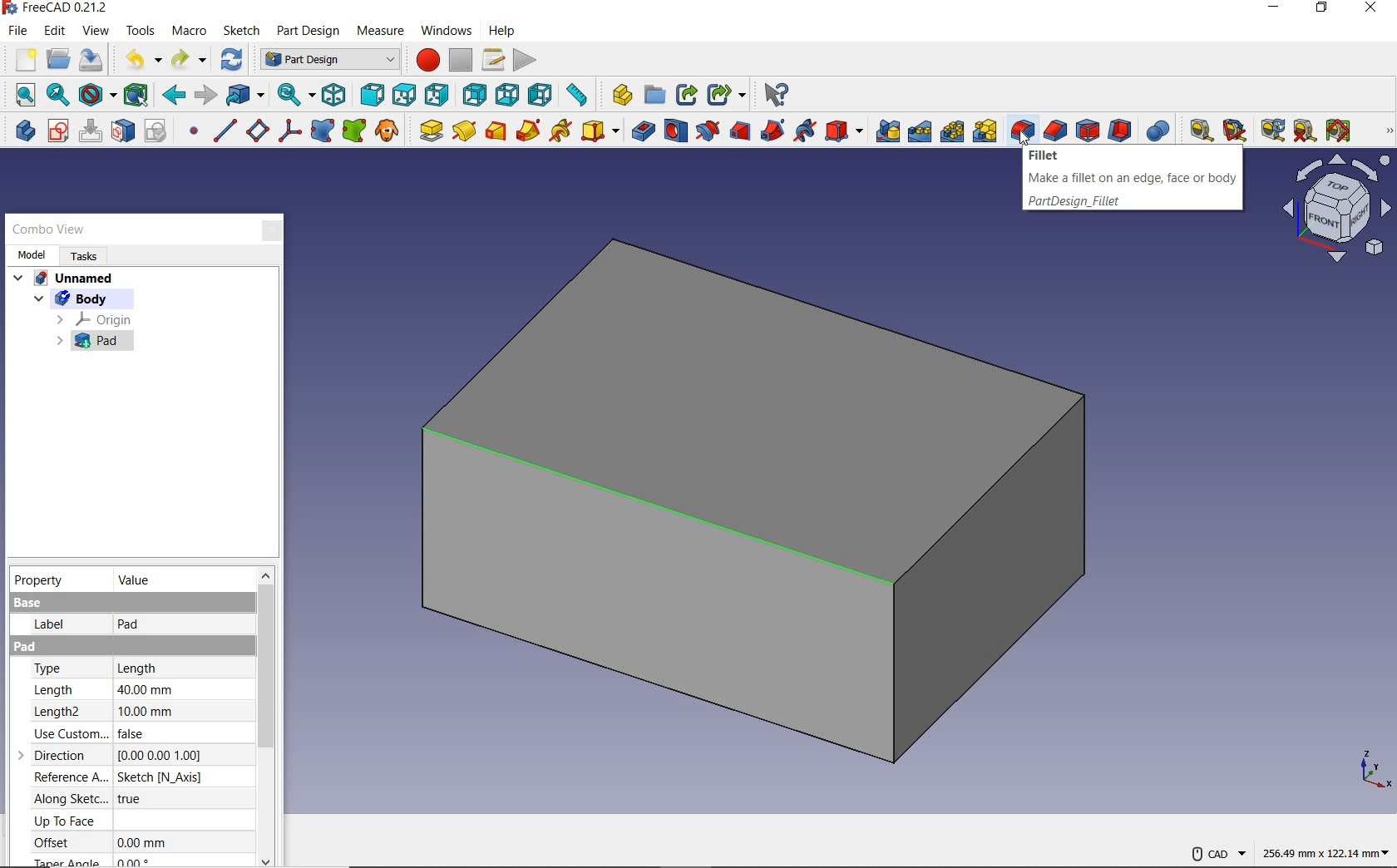 The image size is (1397, 868). Describe the element at coordinates (50, 627) in the screenshot. I see `label` at that location.